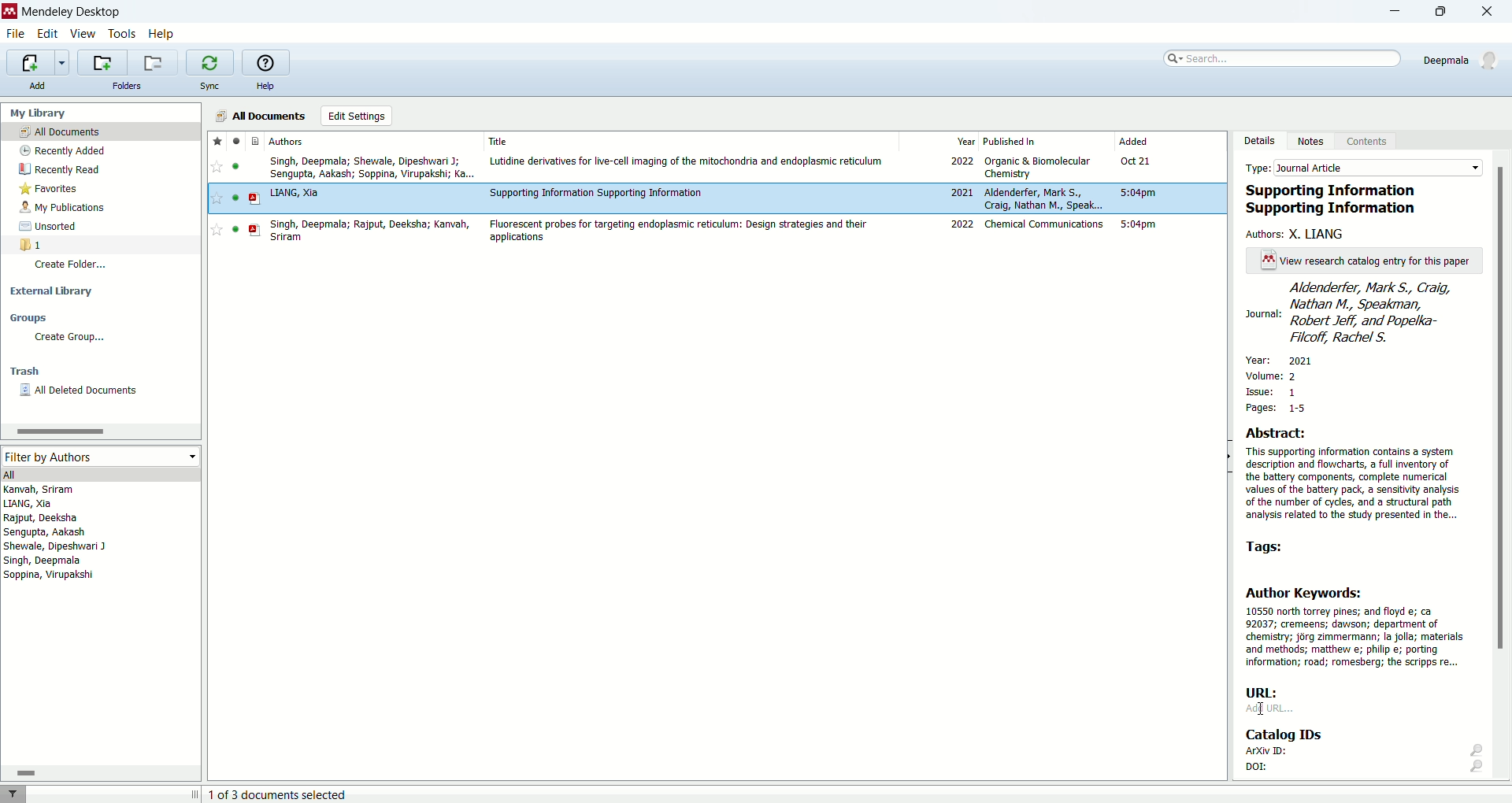 This screenshot has width=1512, height=803. I want to click on authors, so click(287, 141).